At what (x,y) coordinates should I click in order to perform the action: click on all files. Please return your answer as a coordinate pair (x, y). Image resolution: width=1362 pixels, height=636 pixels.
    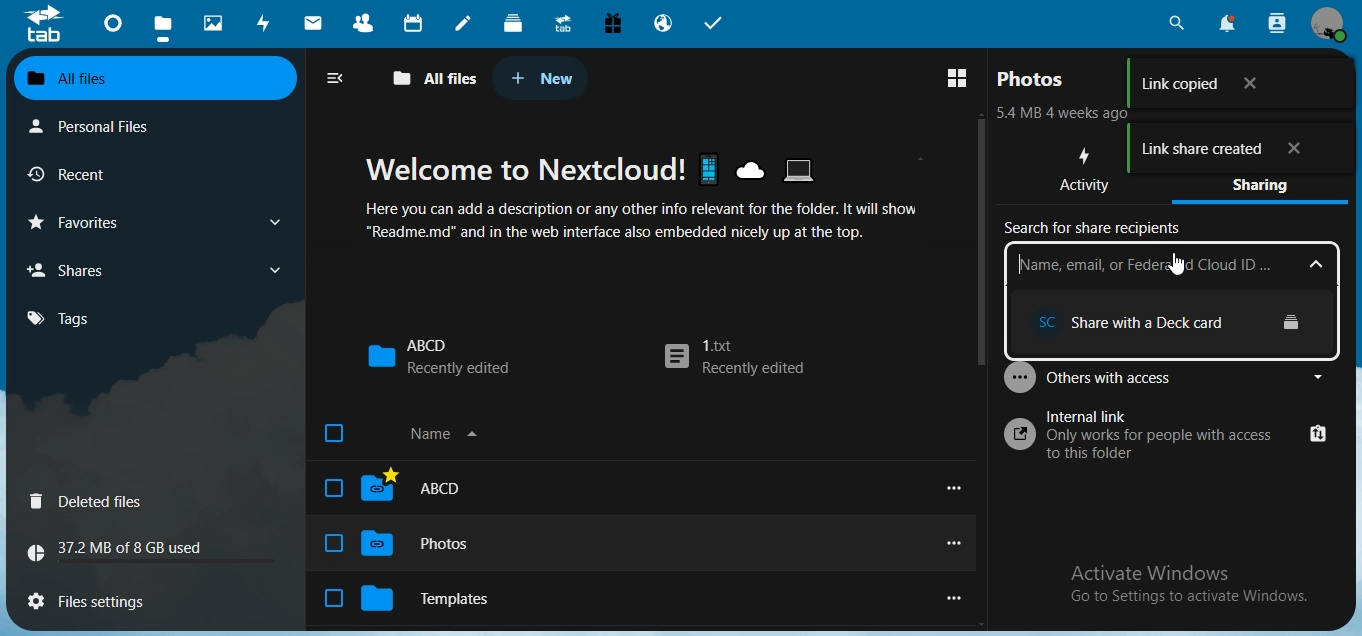
    Looking at the image, I should click on (436, 79).